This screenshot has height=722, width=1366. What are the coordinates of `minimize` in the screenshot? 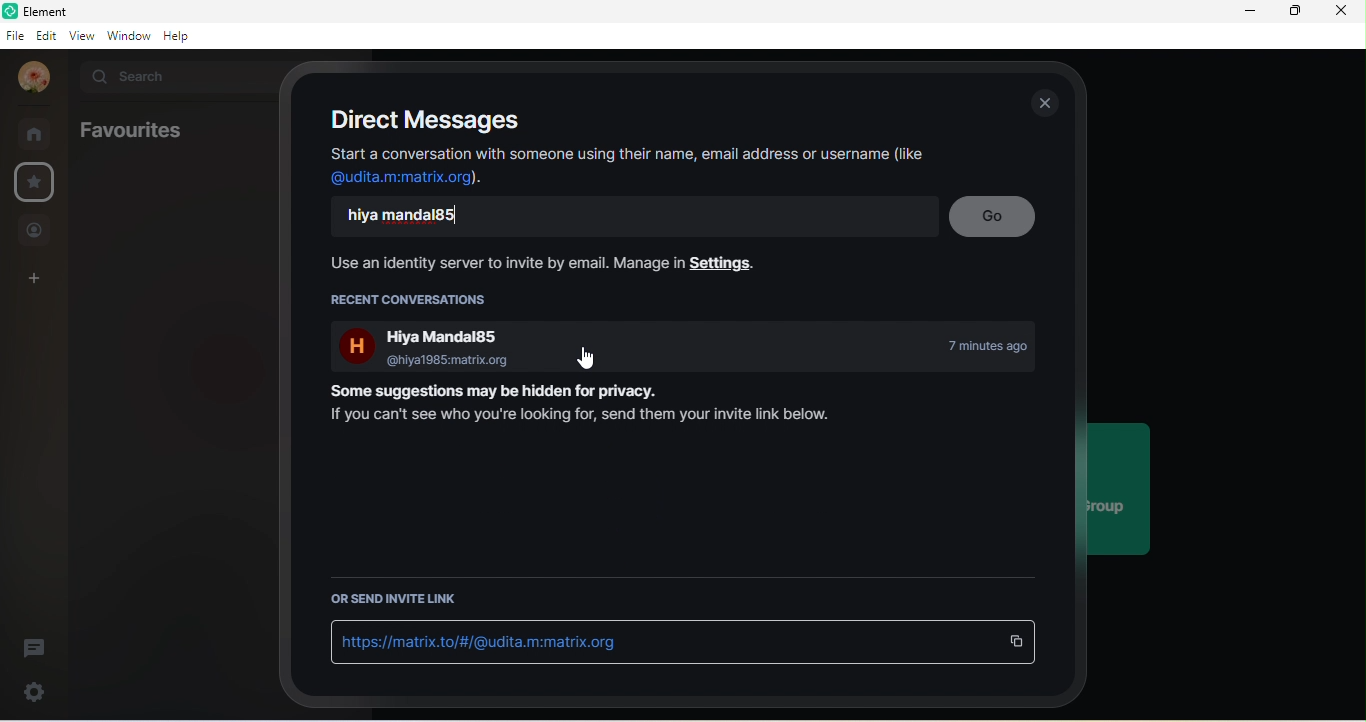 It's located at (1245, 13).